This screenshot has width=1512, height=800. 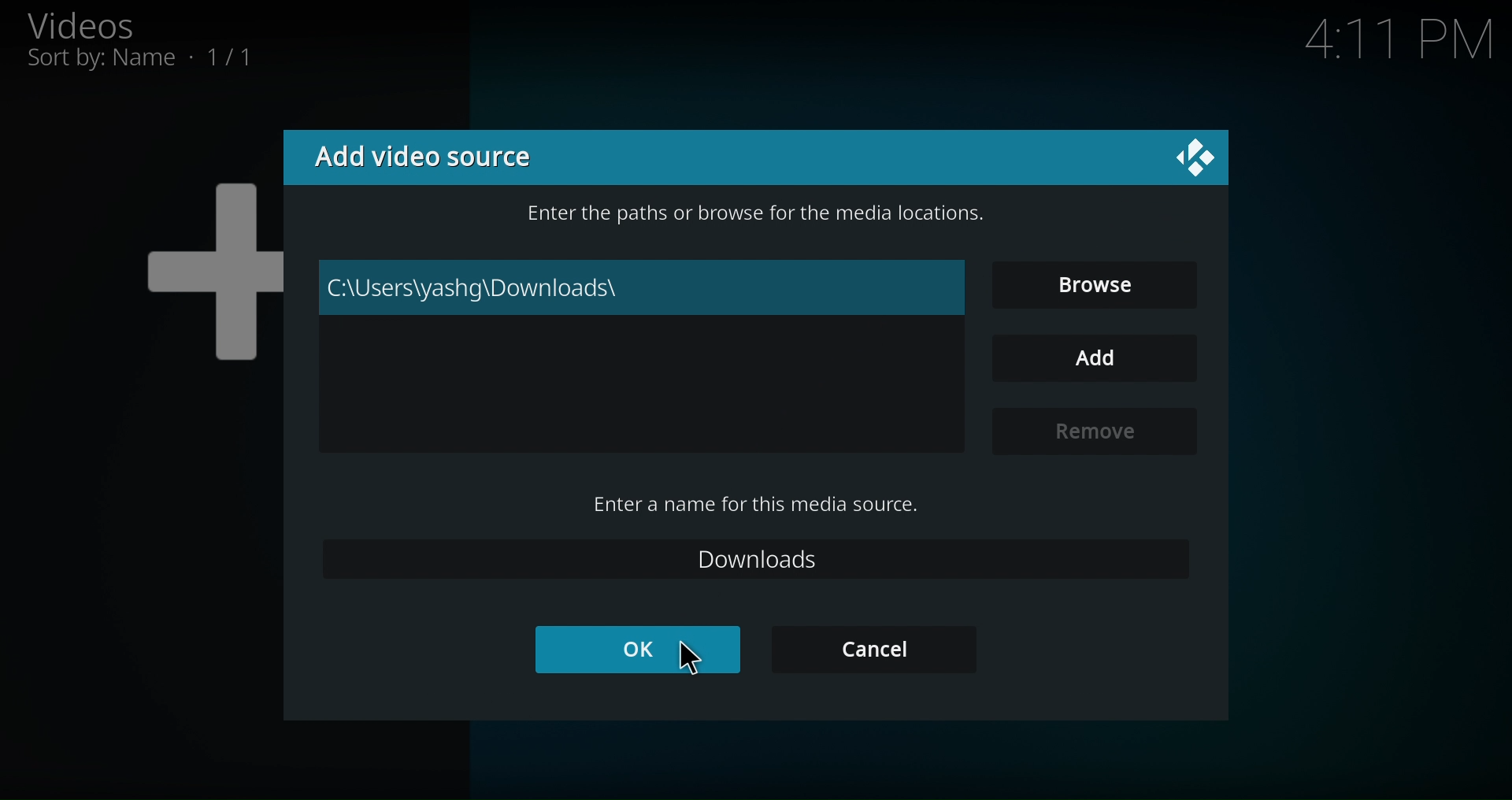 What do you see at coordinates (1196, 160) in the screenshot?
I see `close` at bounding box center [1196, 160].